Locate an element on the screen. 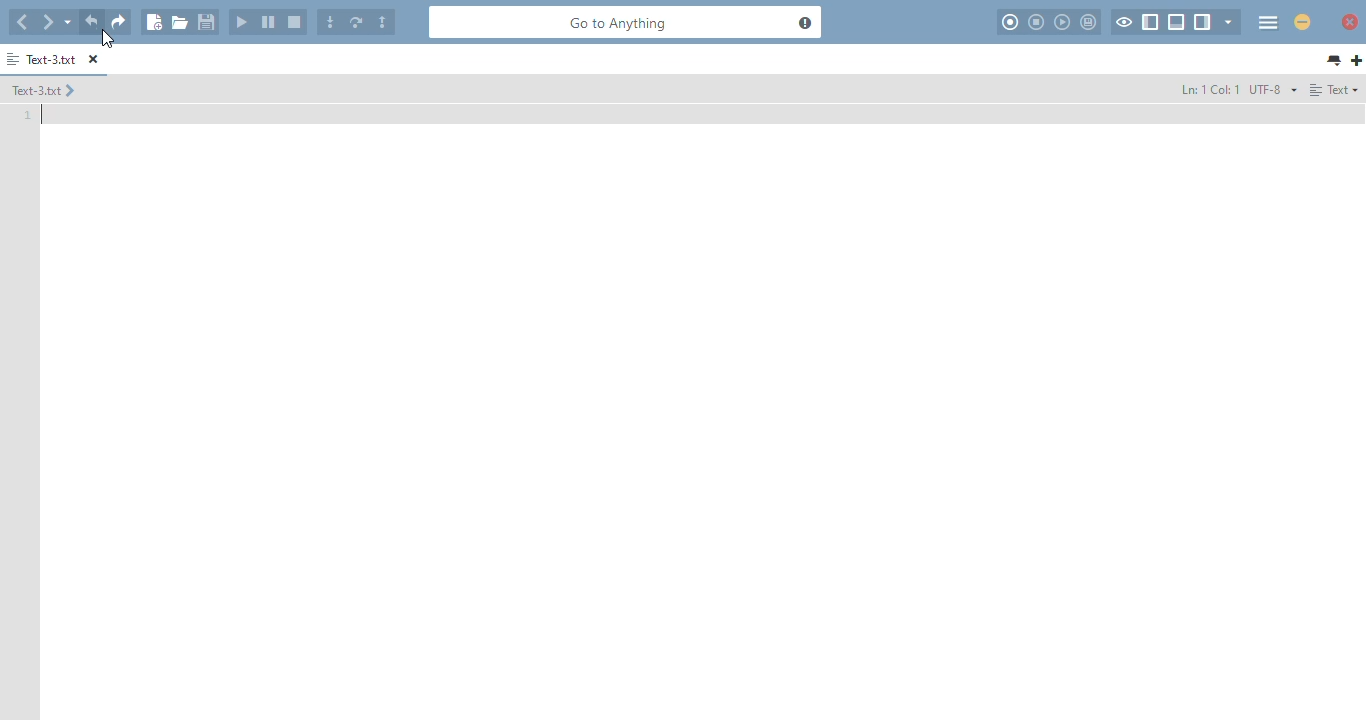 The height and width of the screenshot is (720, 1366). record macro is located at coordinates (1010, 22).